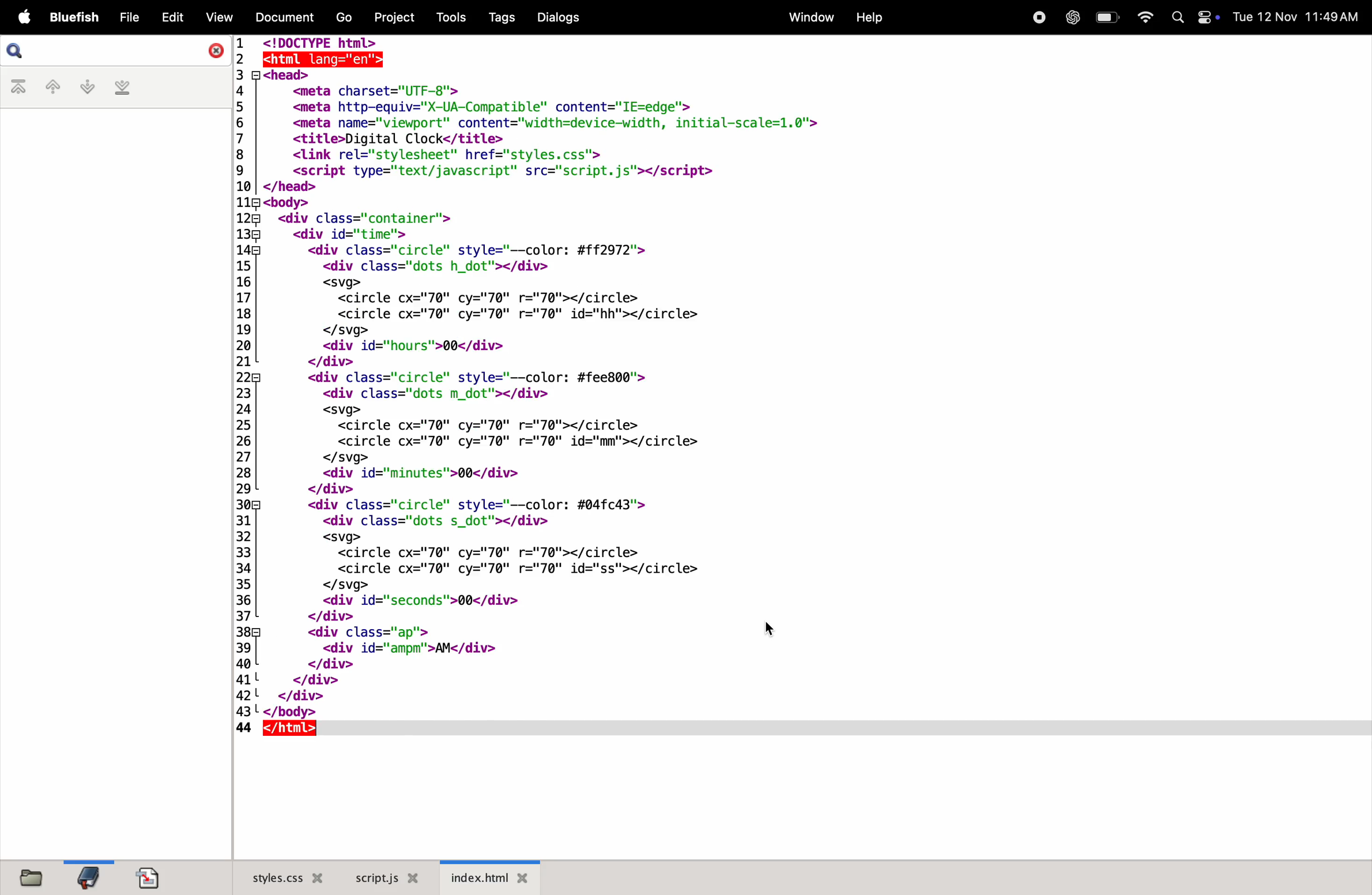 The height and width of the screenshot is (895, 1372). What do you see at coordinates (74, 18) in the screenshot?
I see `bluefish menu` at bounding box center [74, 18].